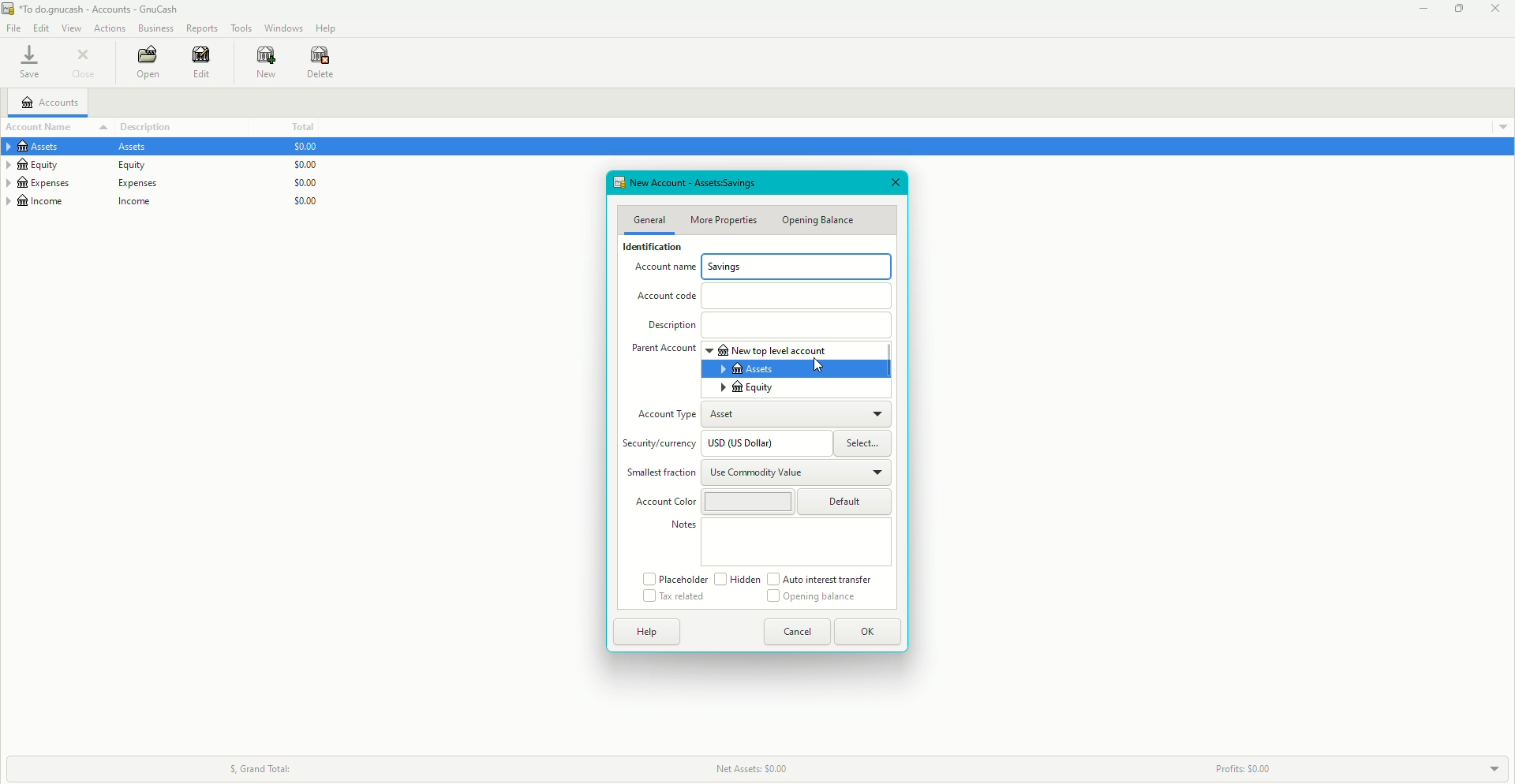  I want to click on Typing box for description, so click(797, 326).